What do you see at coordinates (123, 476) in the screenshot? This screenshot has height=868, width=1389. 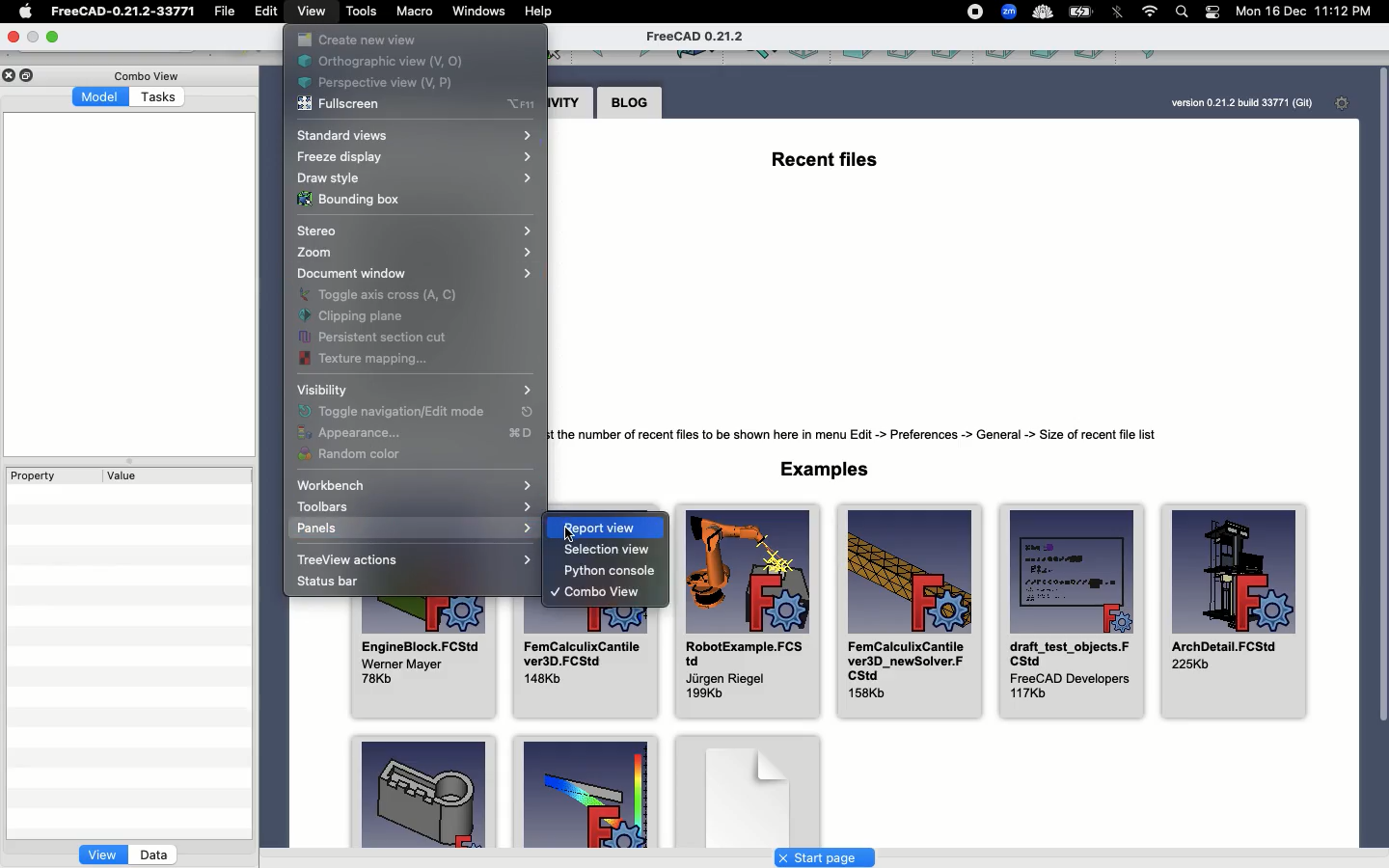 I see `Value` at bounding box center [123, 476].